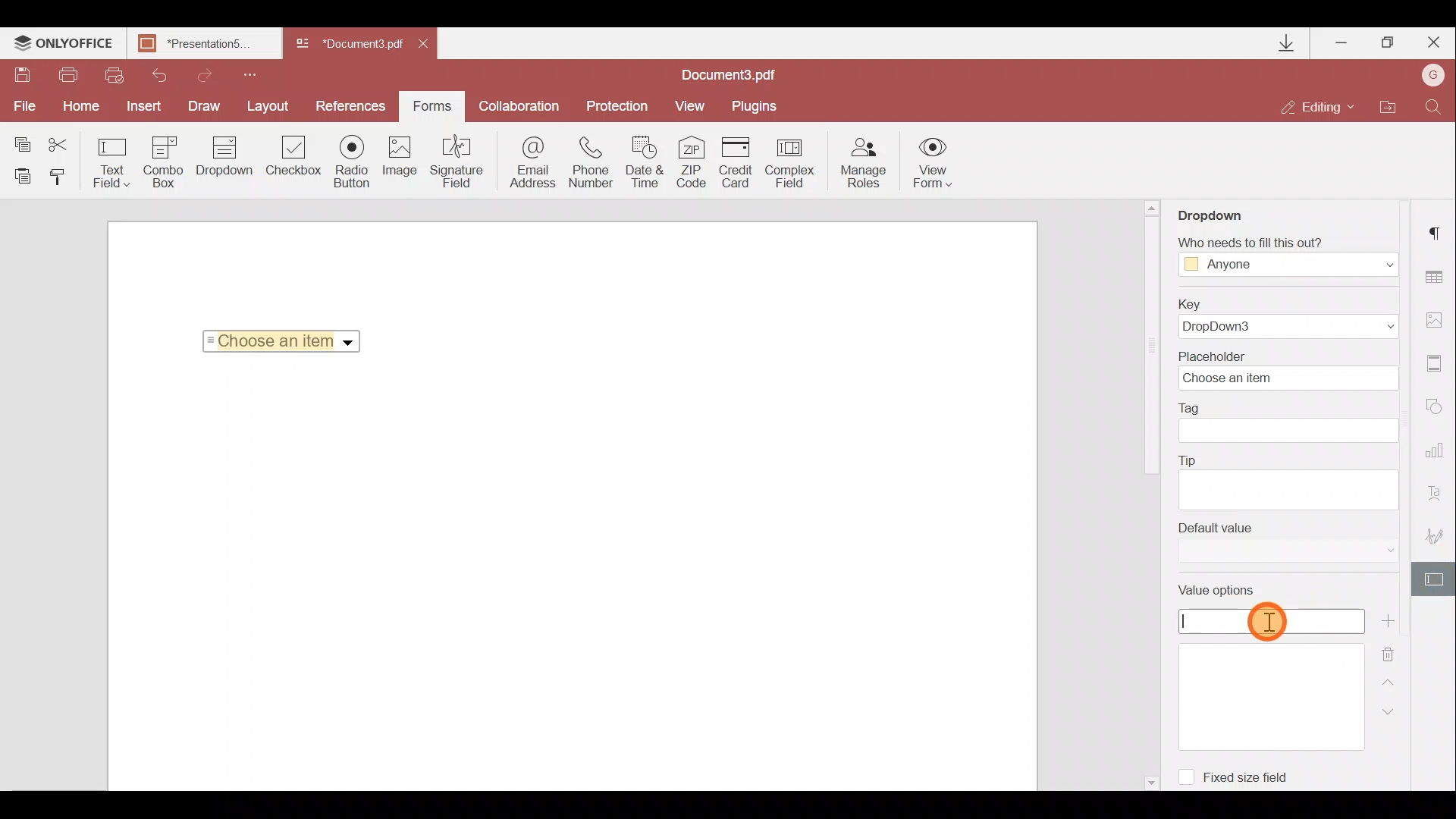 This screenshot has height=819, width=1456. I want to click on Dropdown, so click(221, 165).